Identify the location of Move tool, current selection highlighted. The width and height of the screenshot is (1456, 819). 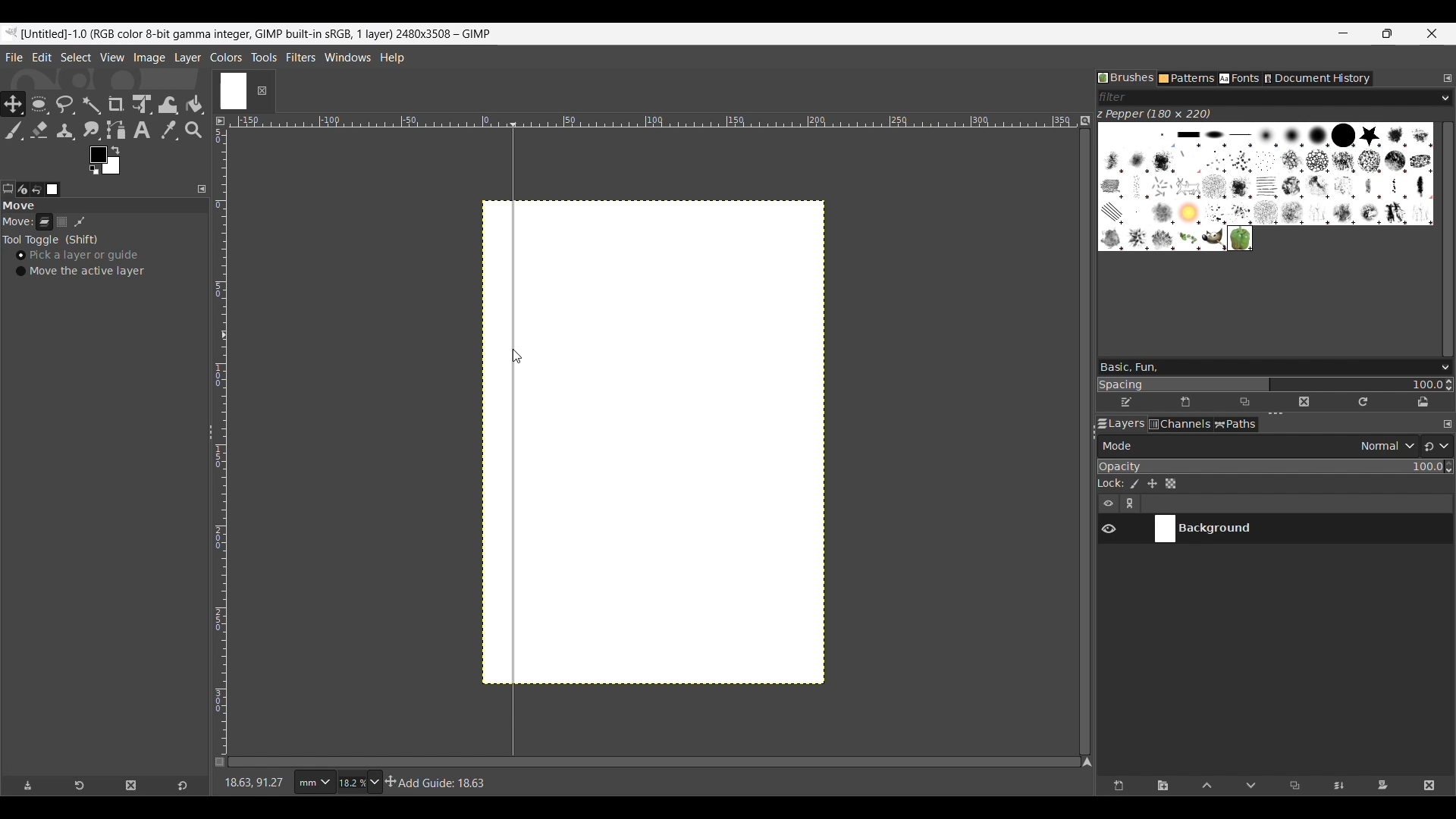
(11, 102).